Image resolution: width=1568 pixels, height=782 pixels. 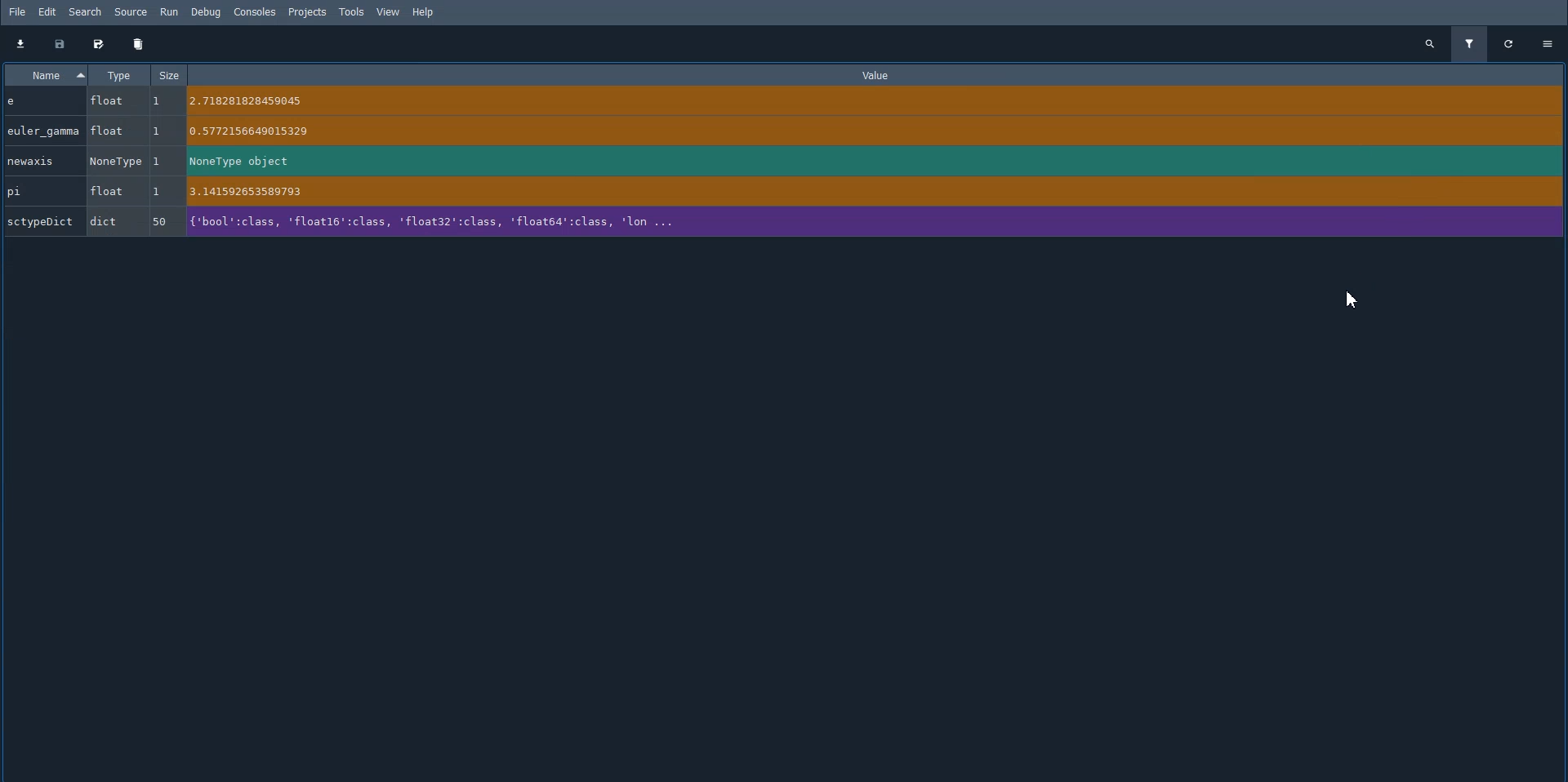 I want to click on NoneType object, so click(x=851, y=162).